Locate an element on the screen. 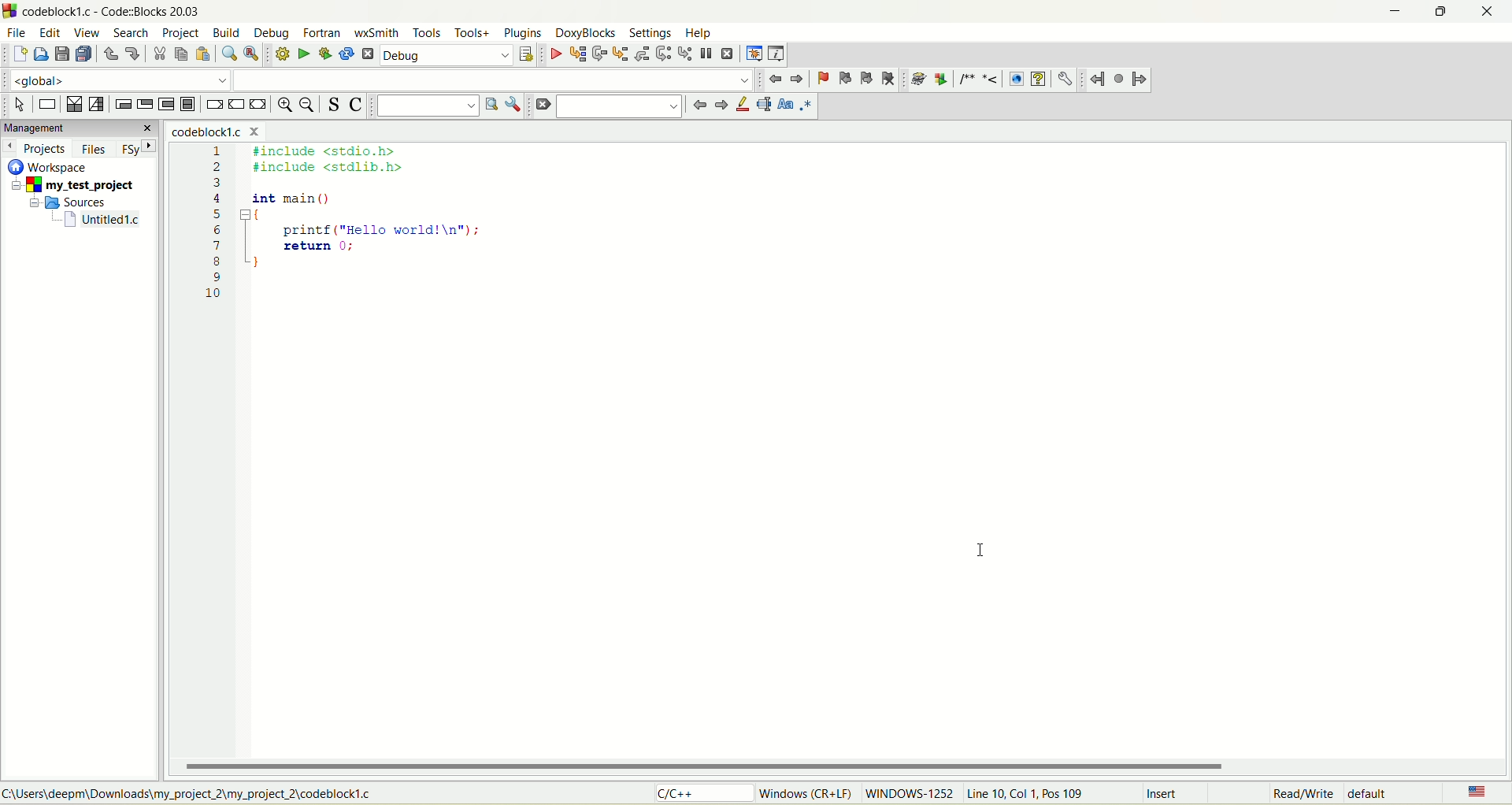 Image resolution: width=1512 pixels, height=805 pixels. HTML is located at coordinates (1015, 80).